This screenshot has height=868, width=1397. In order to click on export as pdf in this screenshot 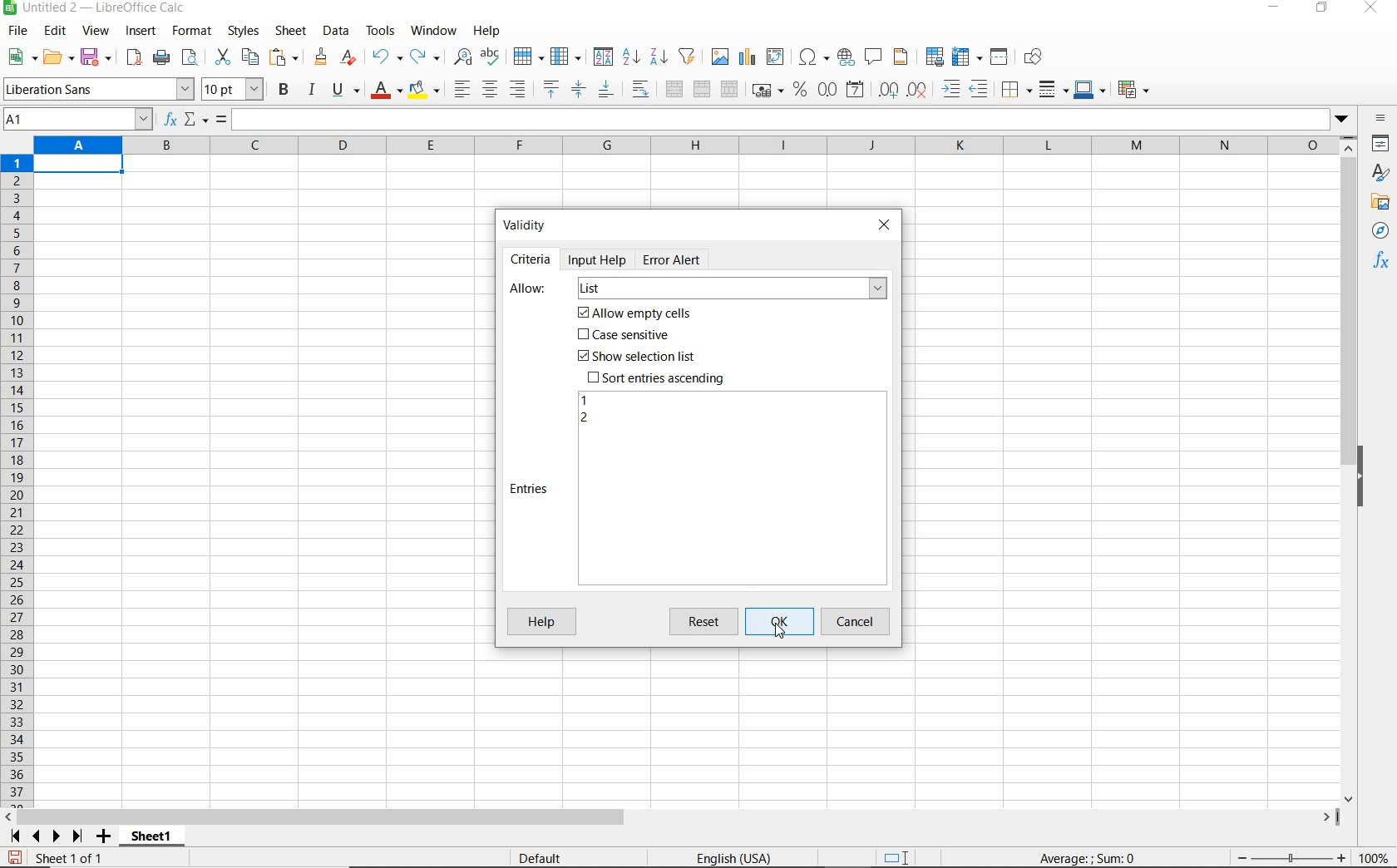, I will do `click(133, 57)`.